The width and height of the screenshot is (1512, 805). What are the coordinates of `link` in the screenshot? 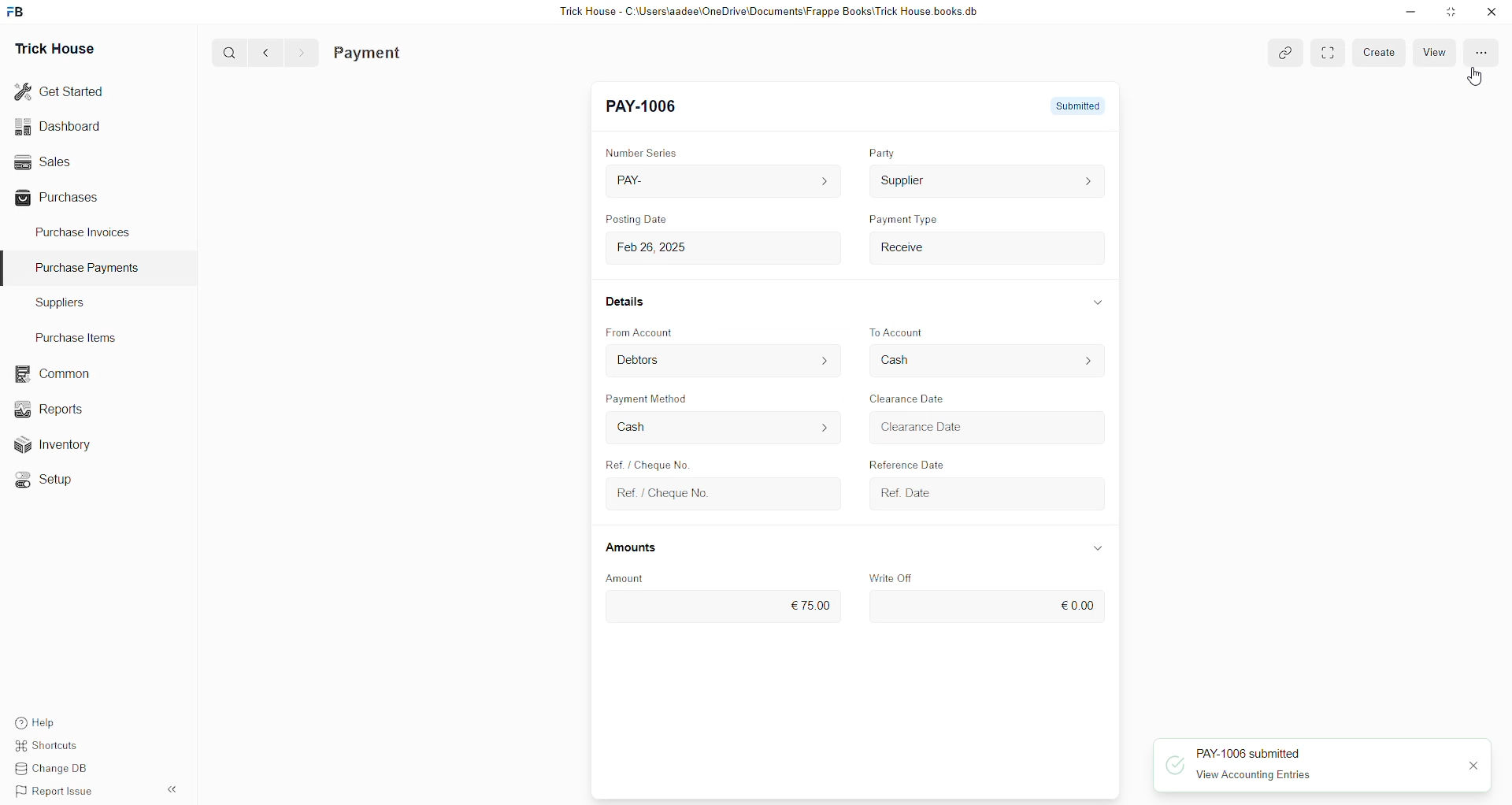 It's located at (1283, 54).